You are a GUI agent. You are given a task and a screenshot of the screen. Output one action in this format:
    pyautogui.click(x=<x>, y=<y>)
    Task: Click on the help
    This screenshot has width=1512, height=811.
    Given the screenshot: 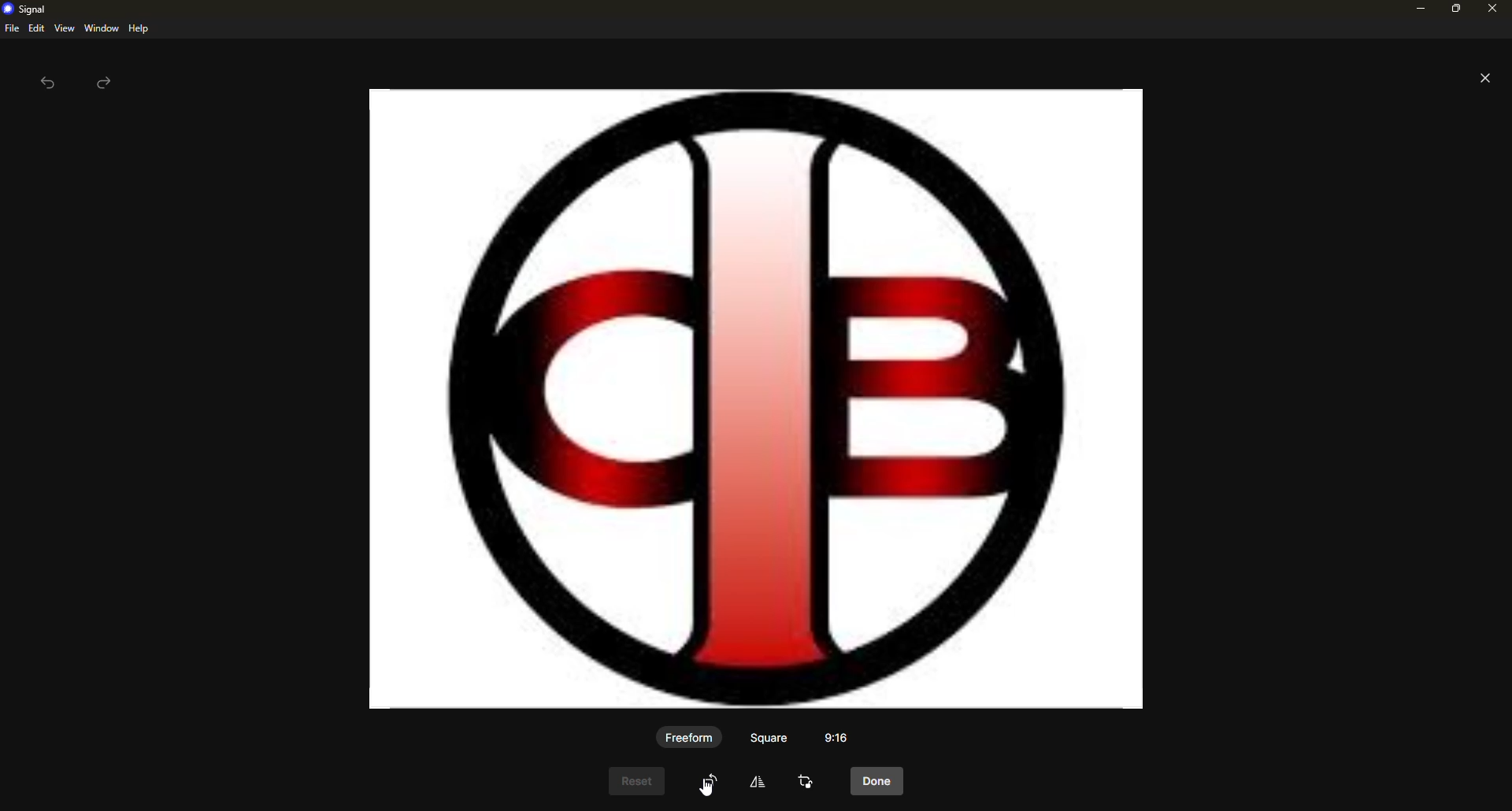 What is the action you would take?
    pyautogui.click(x=139, y=28)
    